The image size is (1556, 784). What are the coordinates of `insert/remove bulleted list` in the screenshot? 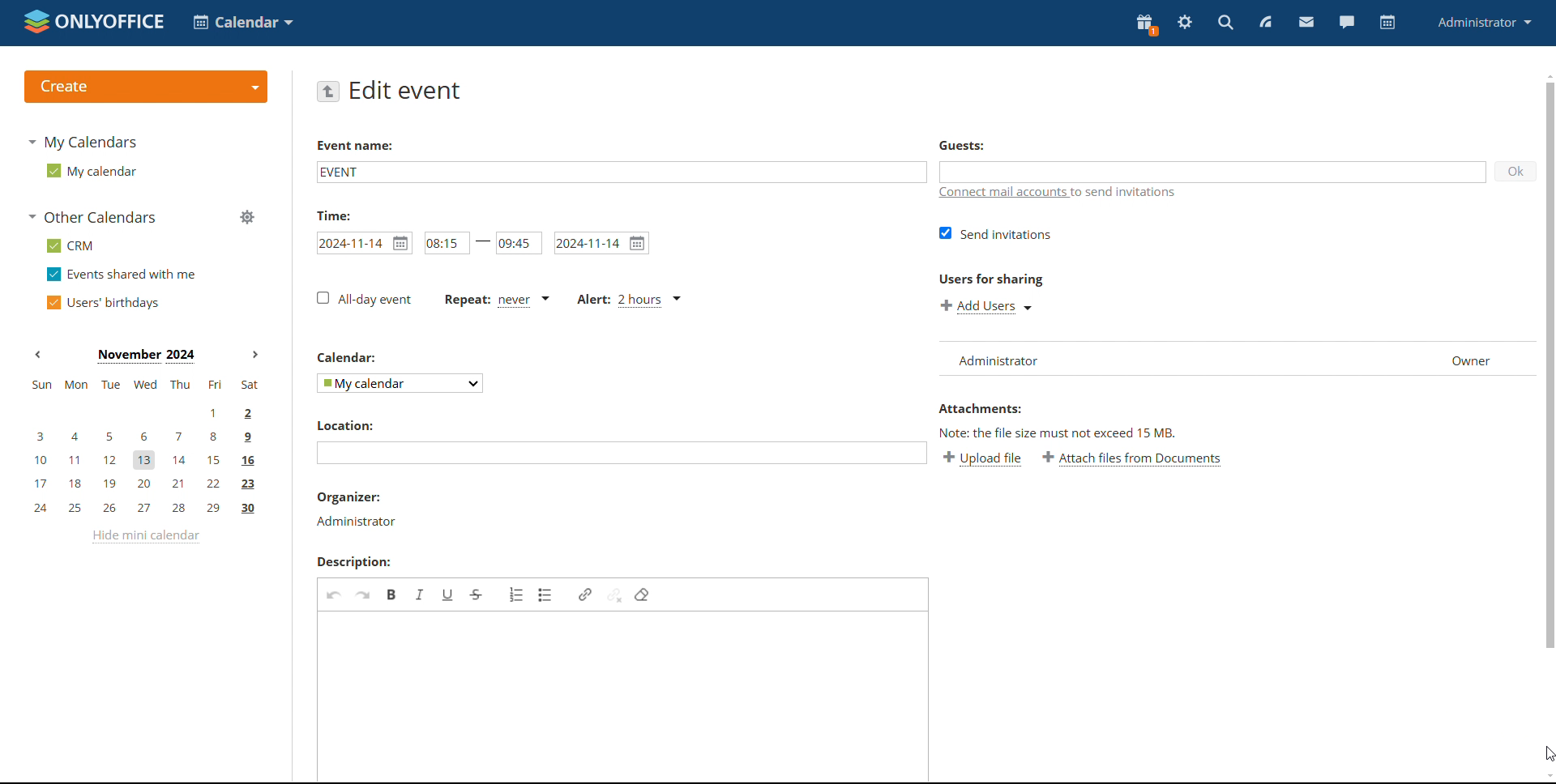 It's located at (546, 595).